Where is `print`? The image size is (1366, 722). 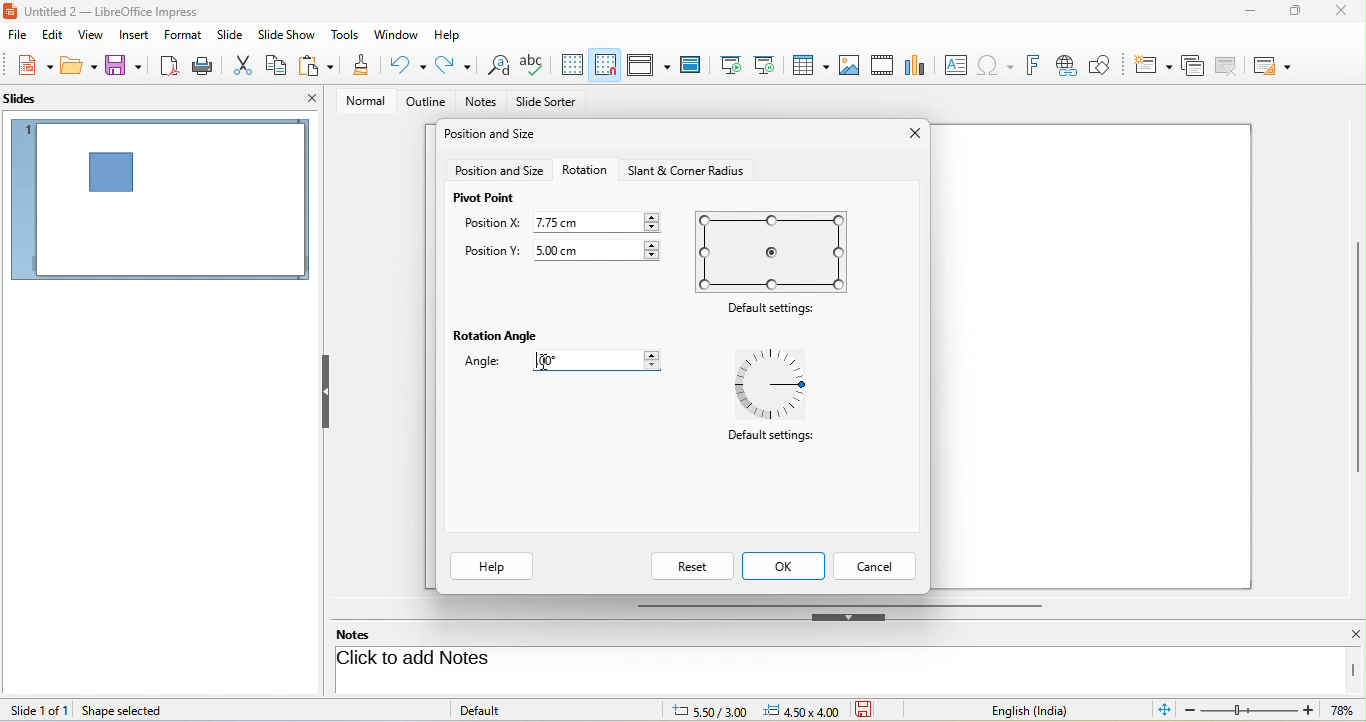 print is located at coordinates (206, 65).